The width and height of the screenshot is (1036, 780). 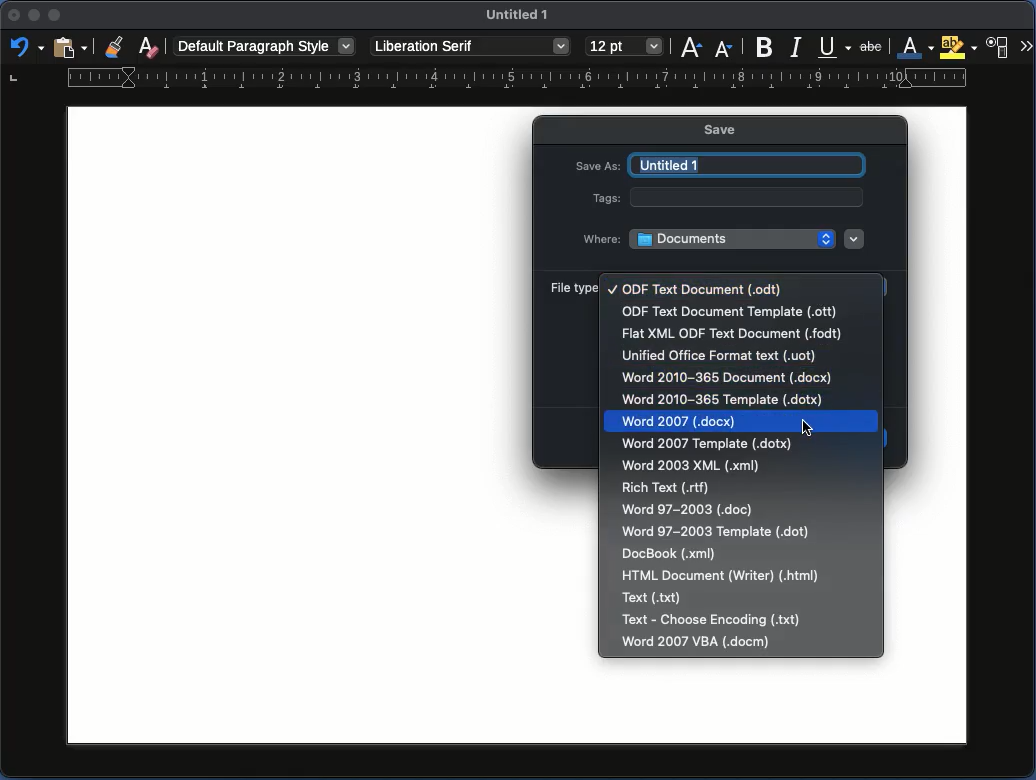 What do you see at coordinates (765, 45) in the screenshot?
I see `Bold` at bounding box center [765, 45].